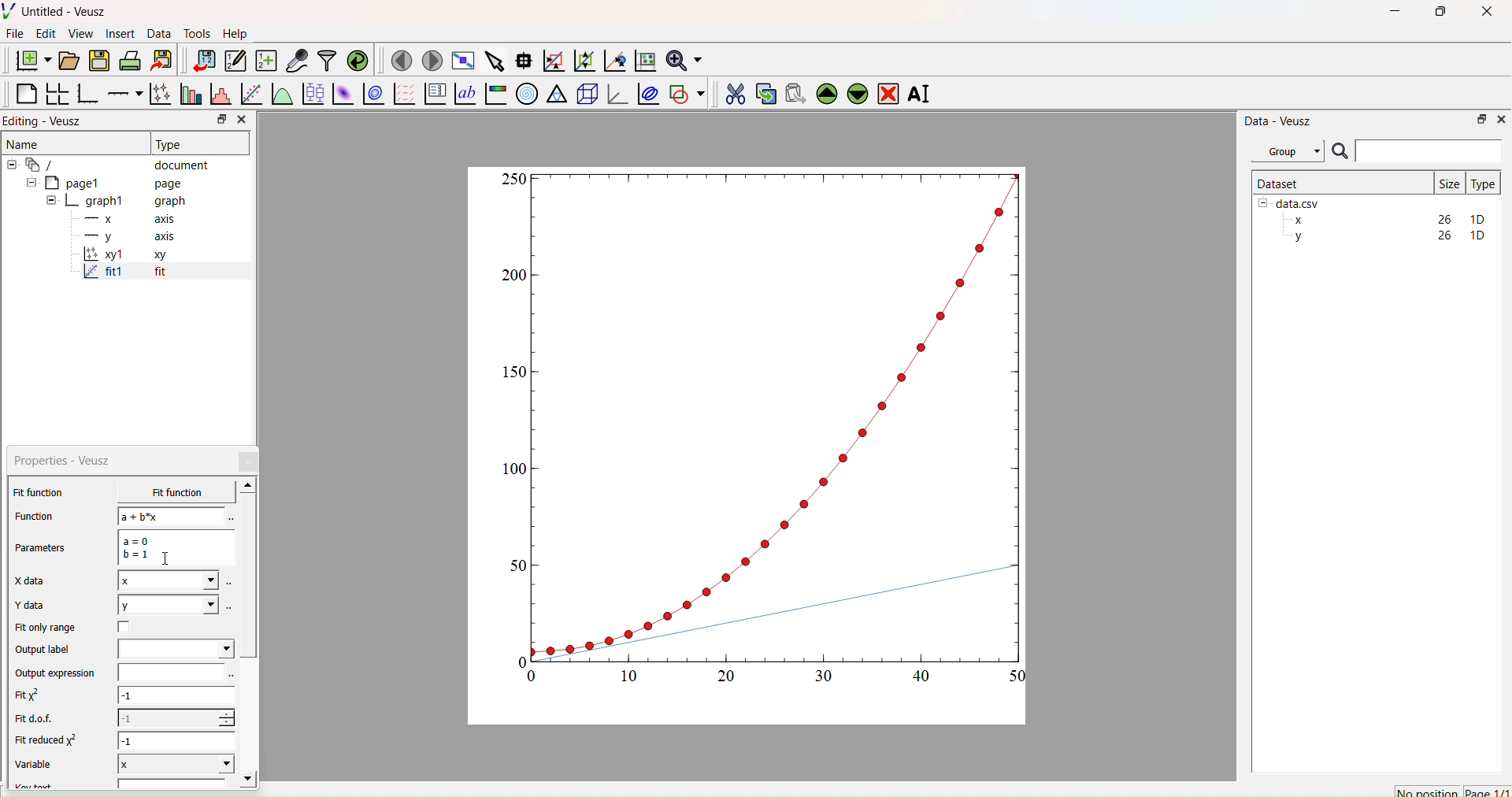 The image size is (1512, 797). I want to click on Dropdown, so click(176, 649).